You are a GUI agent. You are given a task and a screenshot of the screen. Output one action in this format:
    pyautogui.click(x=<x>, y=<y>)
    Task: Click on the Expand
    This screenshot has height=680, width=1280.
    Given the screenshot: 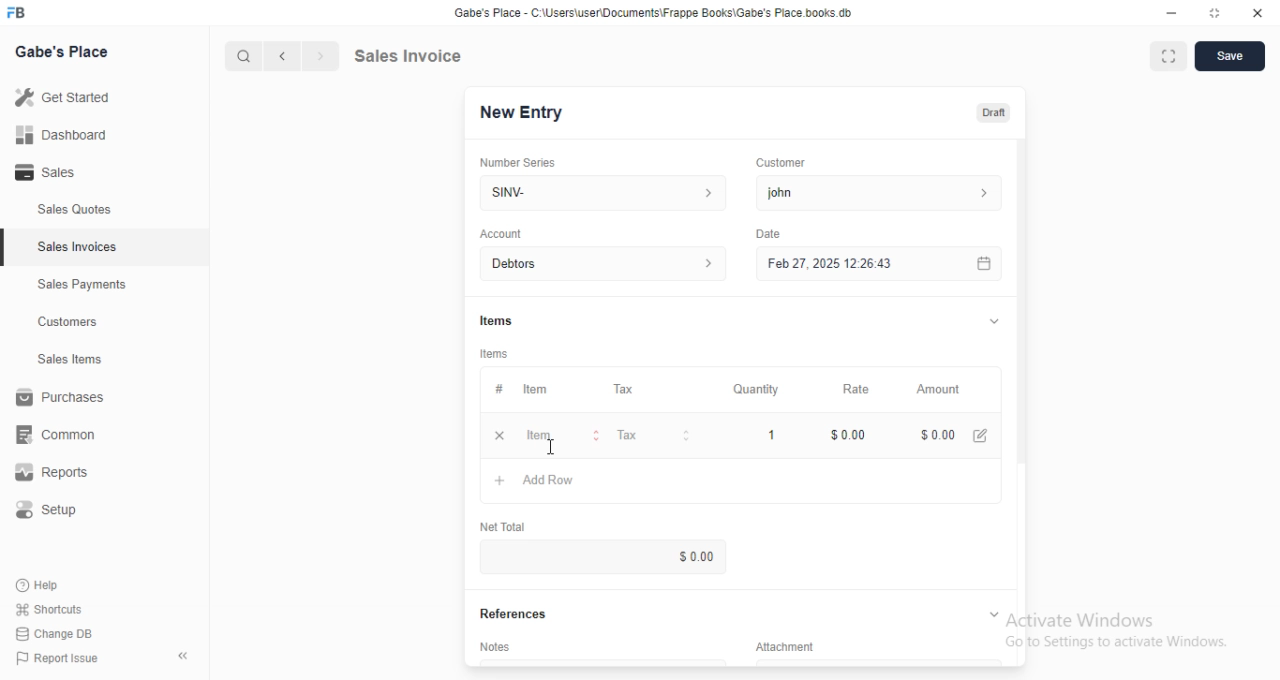 What is the action you would take?
    pyautogui.click(x=1168, y=56)
    